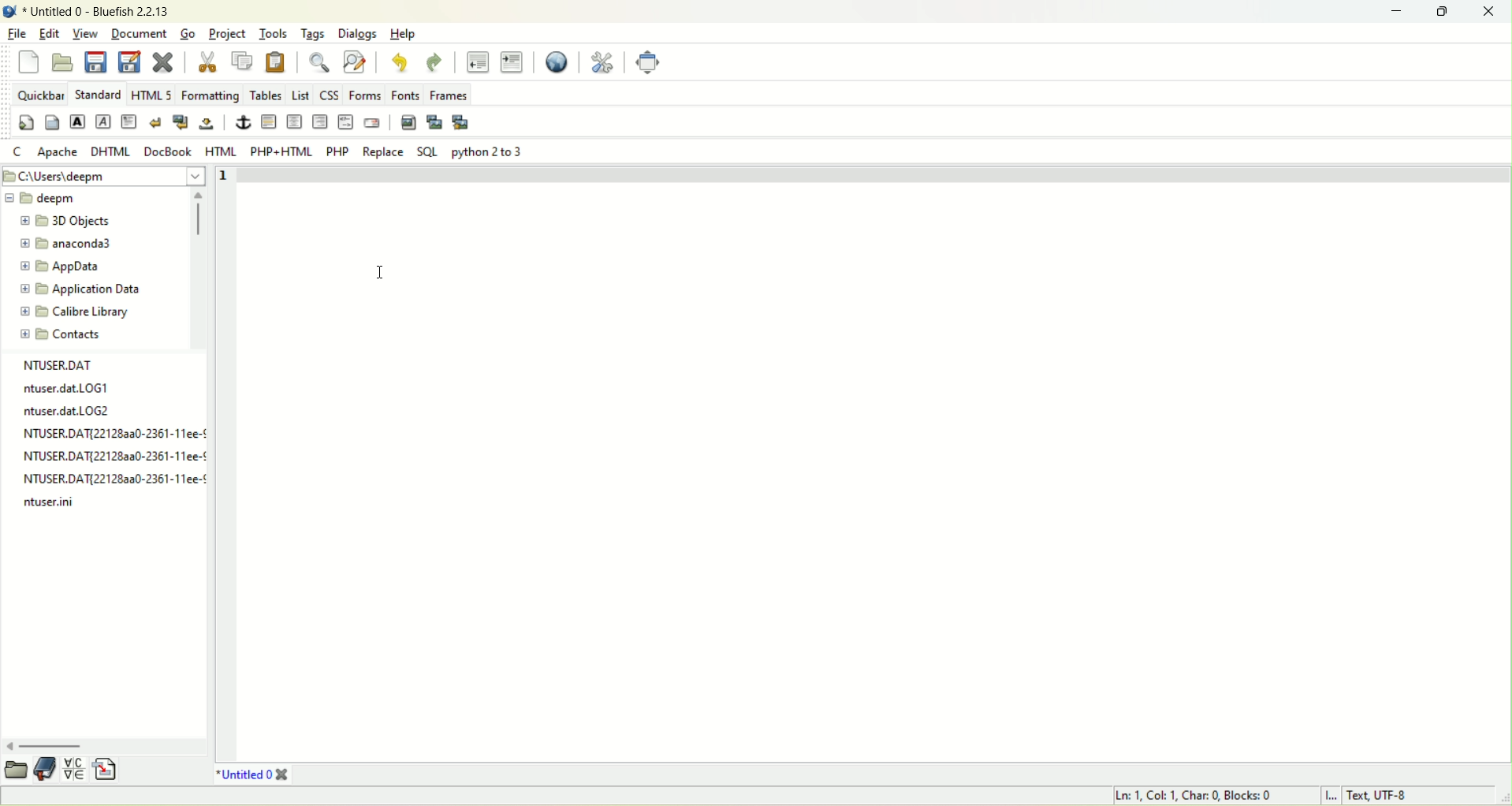  What do you see at coordinates (17, 32) in the screenshot?
I see `file` at bounding box center [17, 32].